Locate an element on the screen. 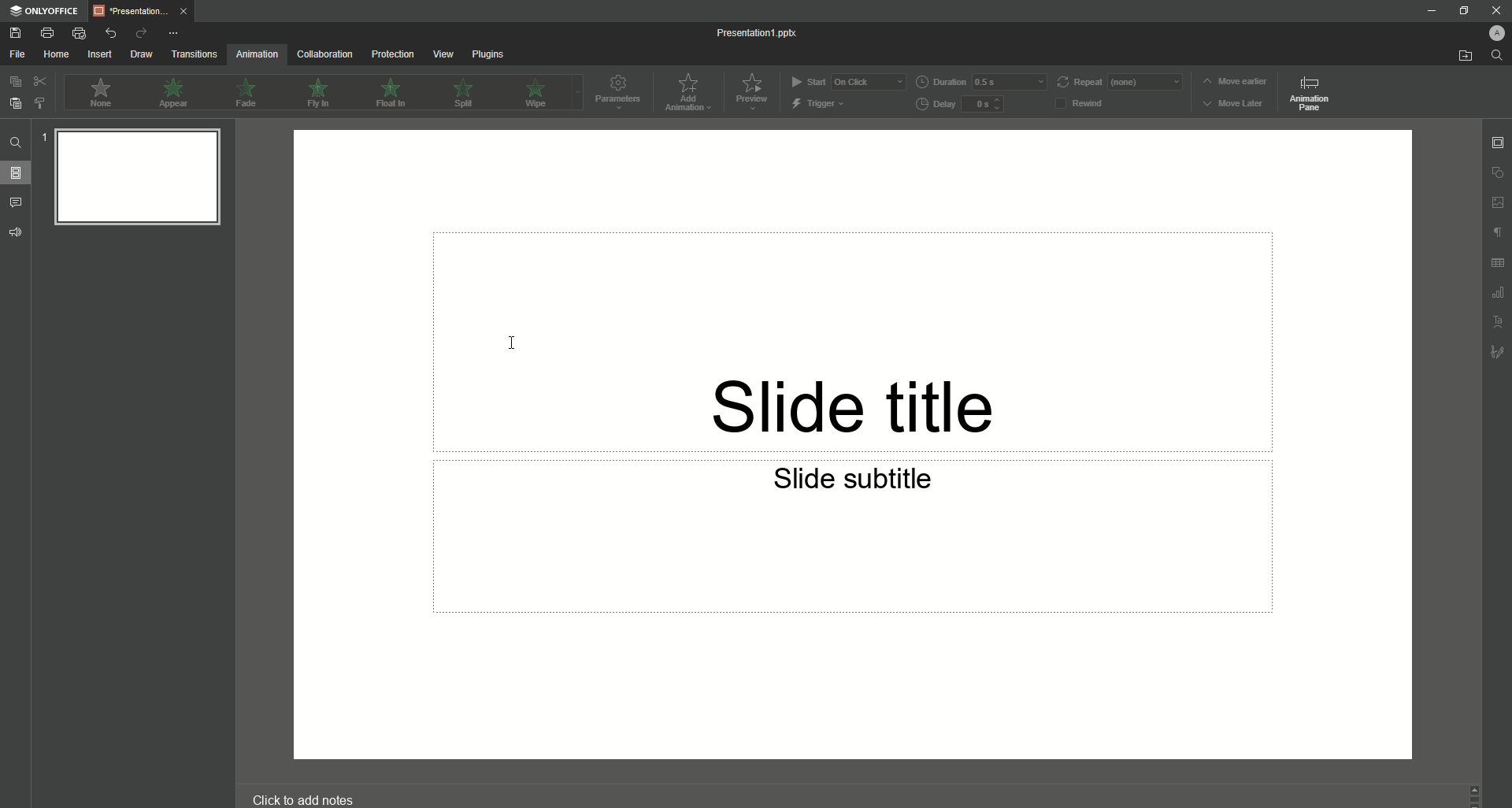 Image resolution: width=1512 pixels, height=808 pixels. Add Animation is located at coordinates (691, 92).